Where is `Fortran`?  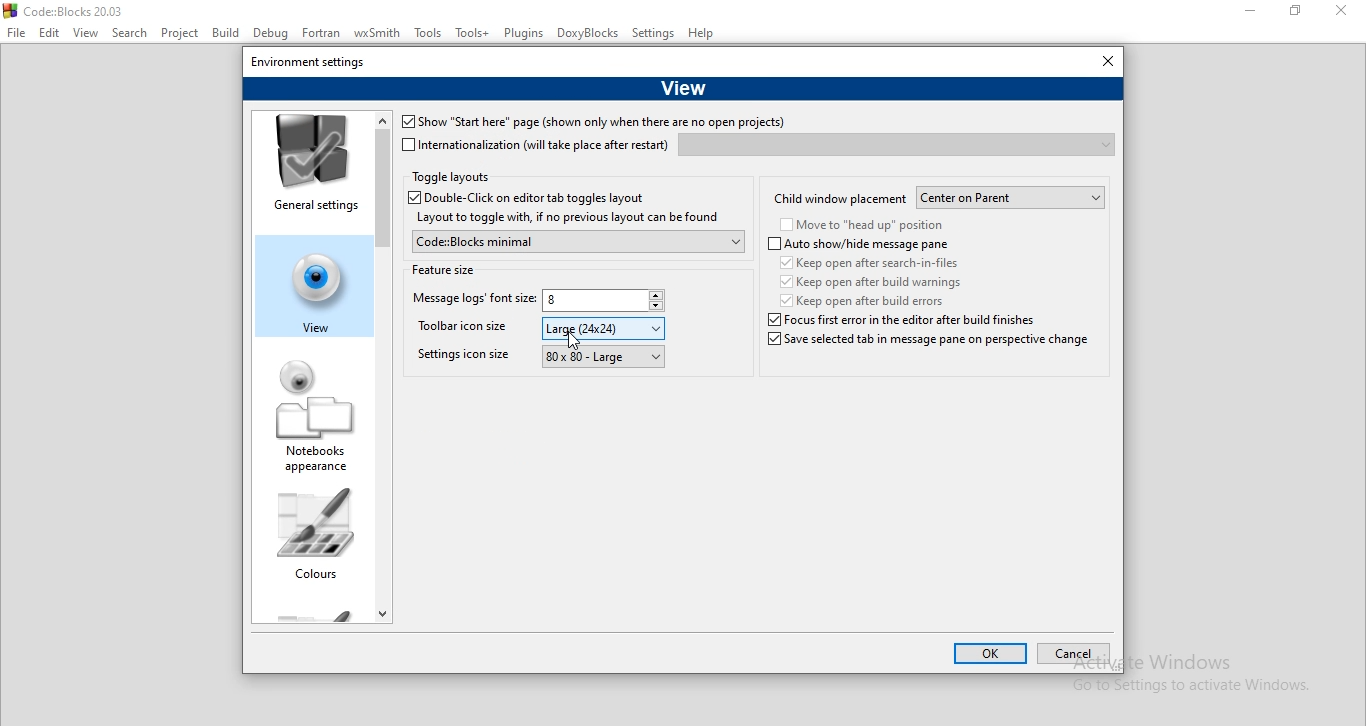
Fortran is located at coordinates (322, 33).